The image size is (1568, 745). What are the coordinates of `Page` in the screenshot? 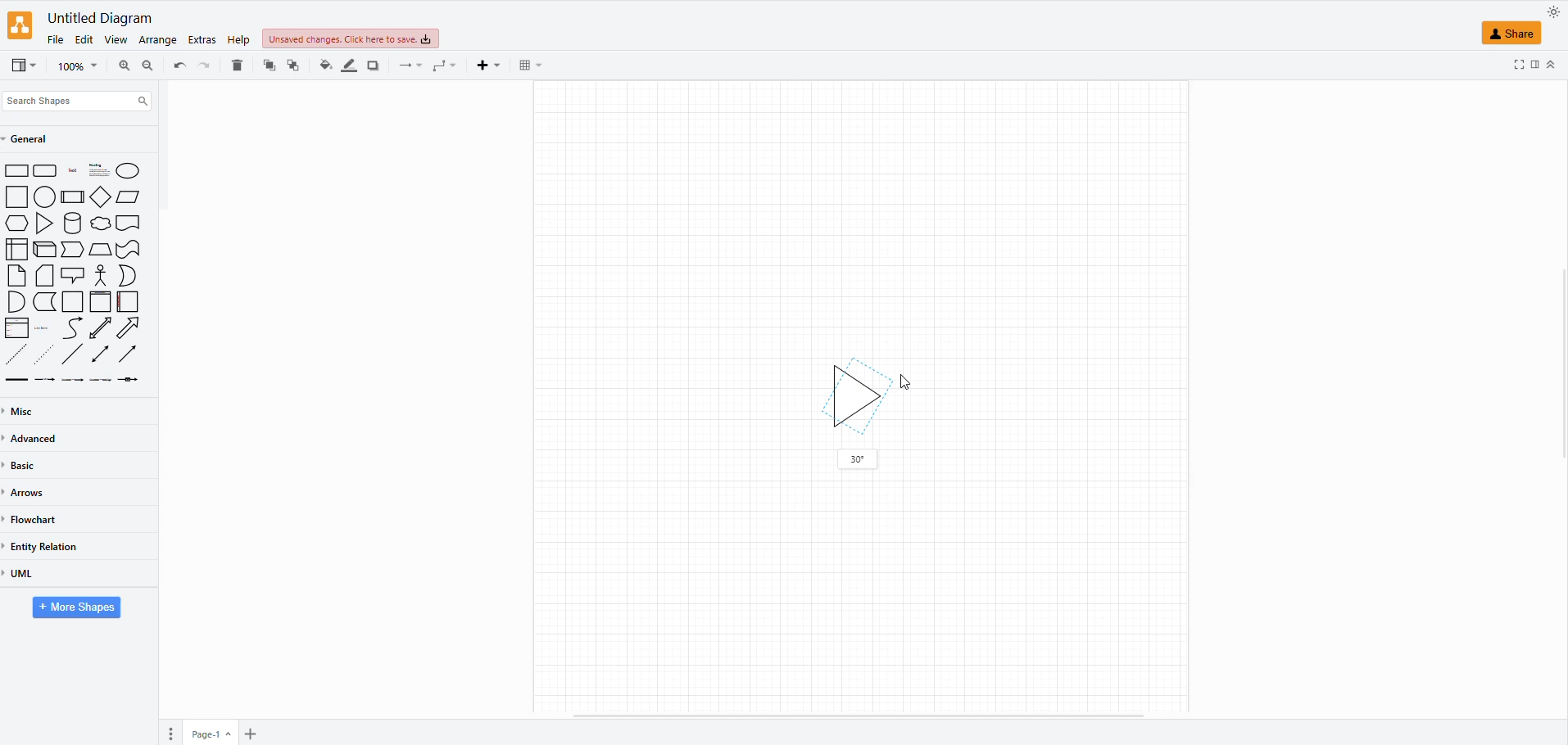 It's located at (73, 302).